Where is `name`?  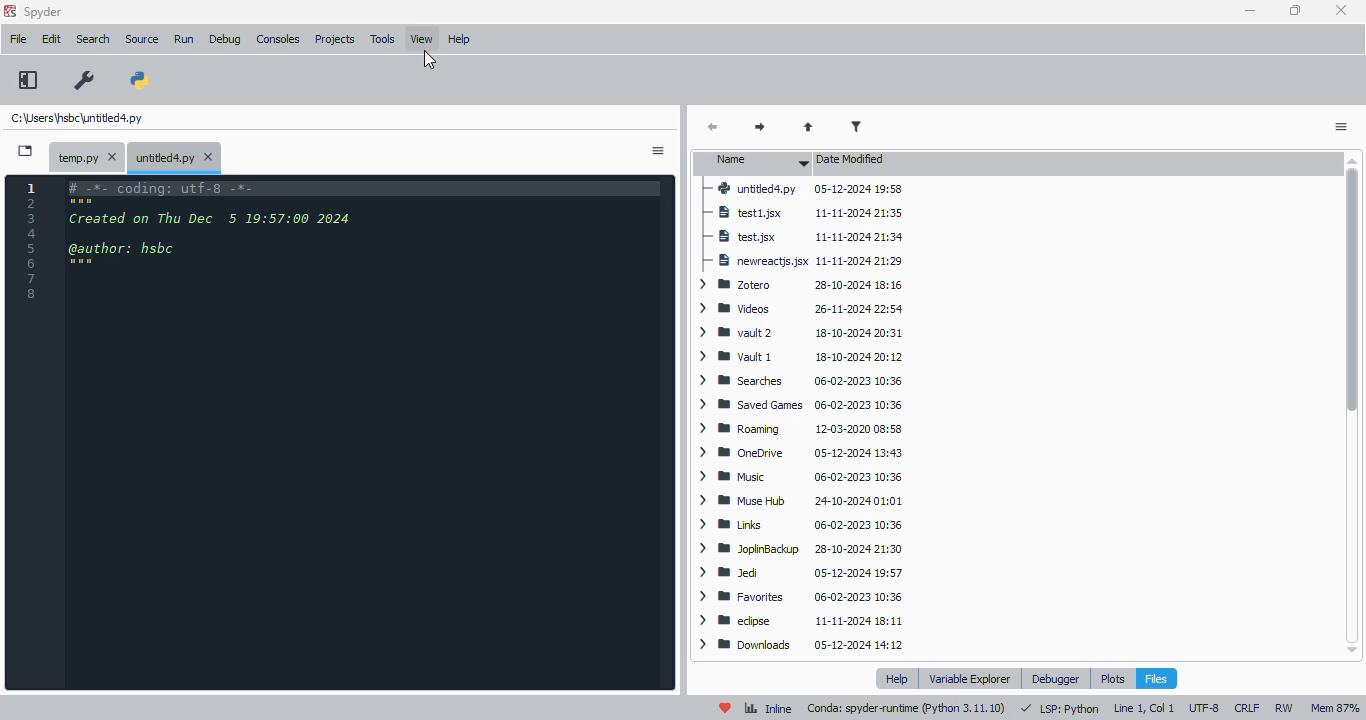 name is located at coordinates (756, 160).